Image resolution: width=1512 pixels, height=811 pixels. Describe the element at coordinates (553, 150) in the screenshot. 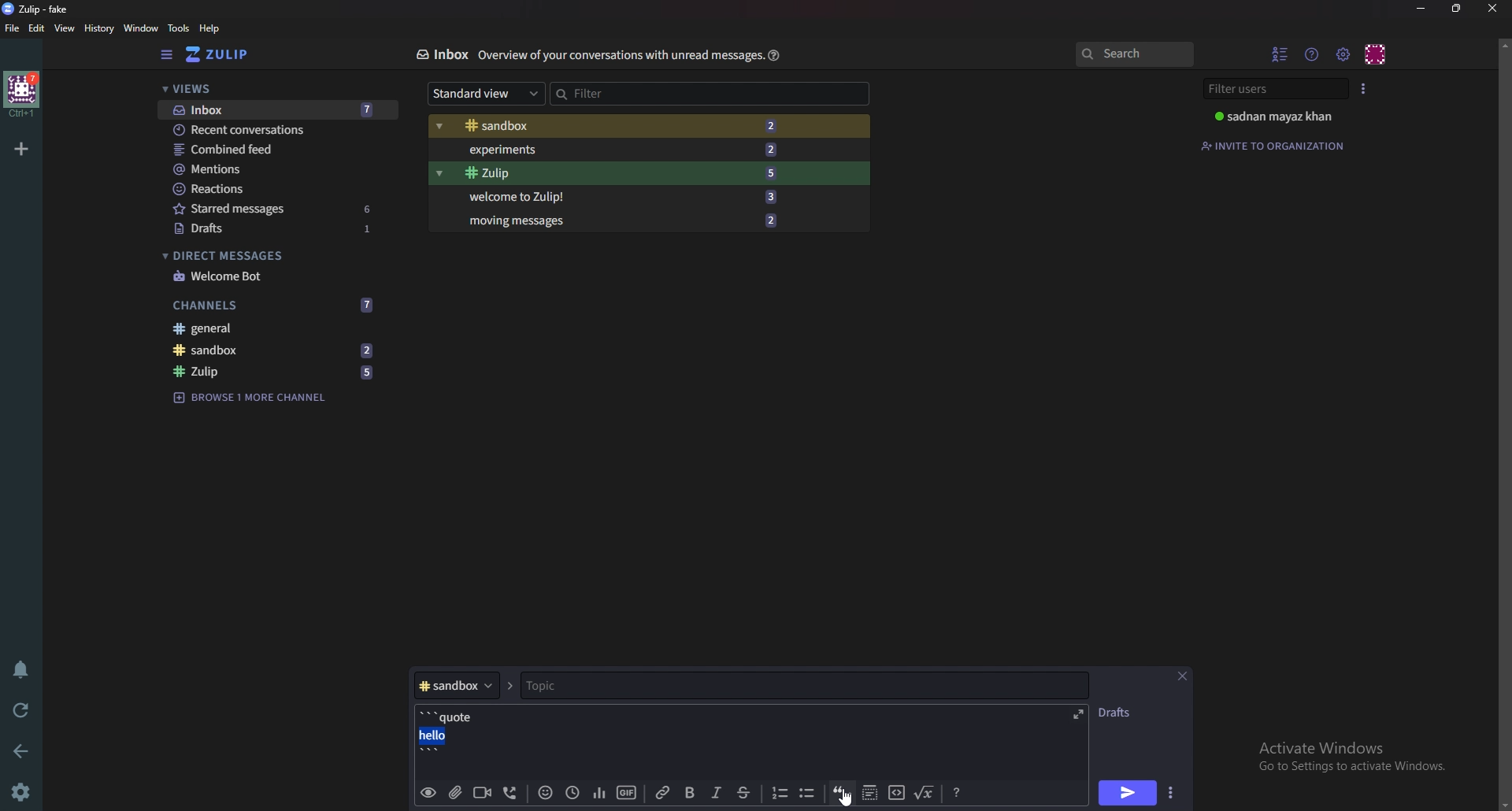

I see `Experiments` at that location.